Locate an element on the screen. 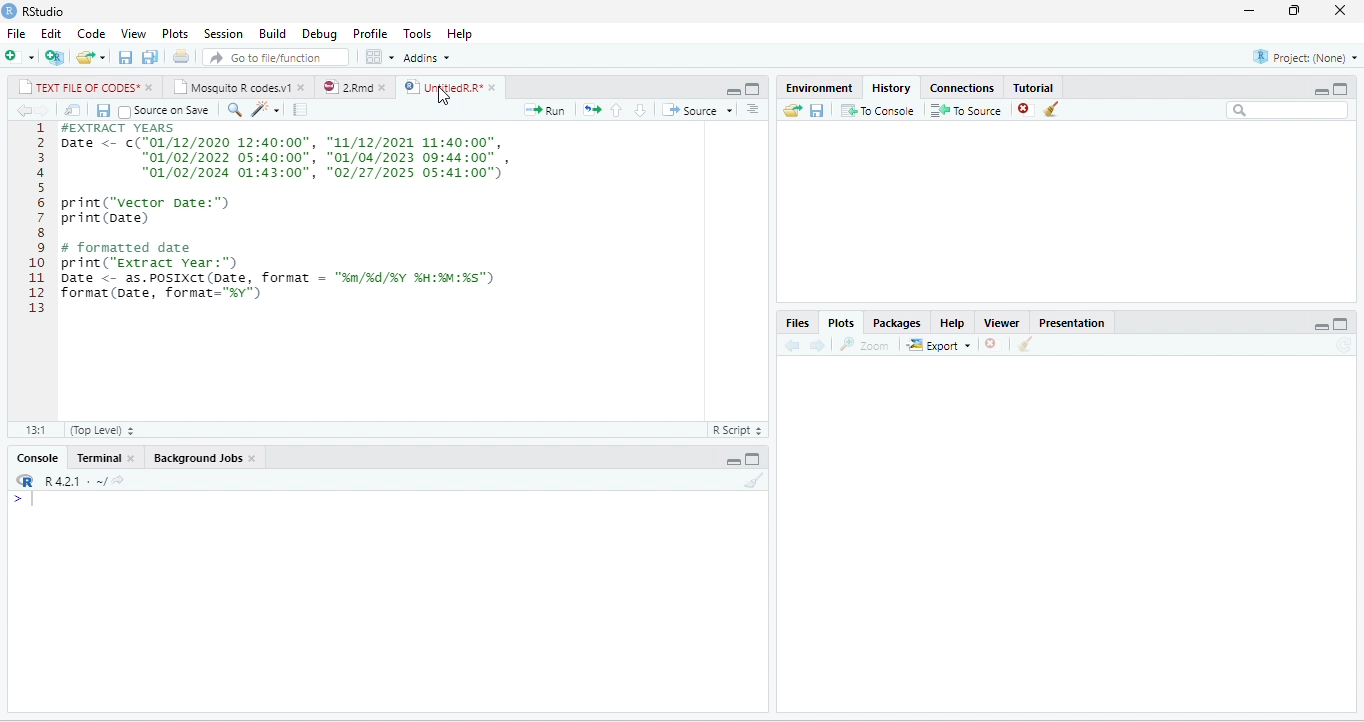  Addins is located at coordinates (428, 57).